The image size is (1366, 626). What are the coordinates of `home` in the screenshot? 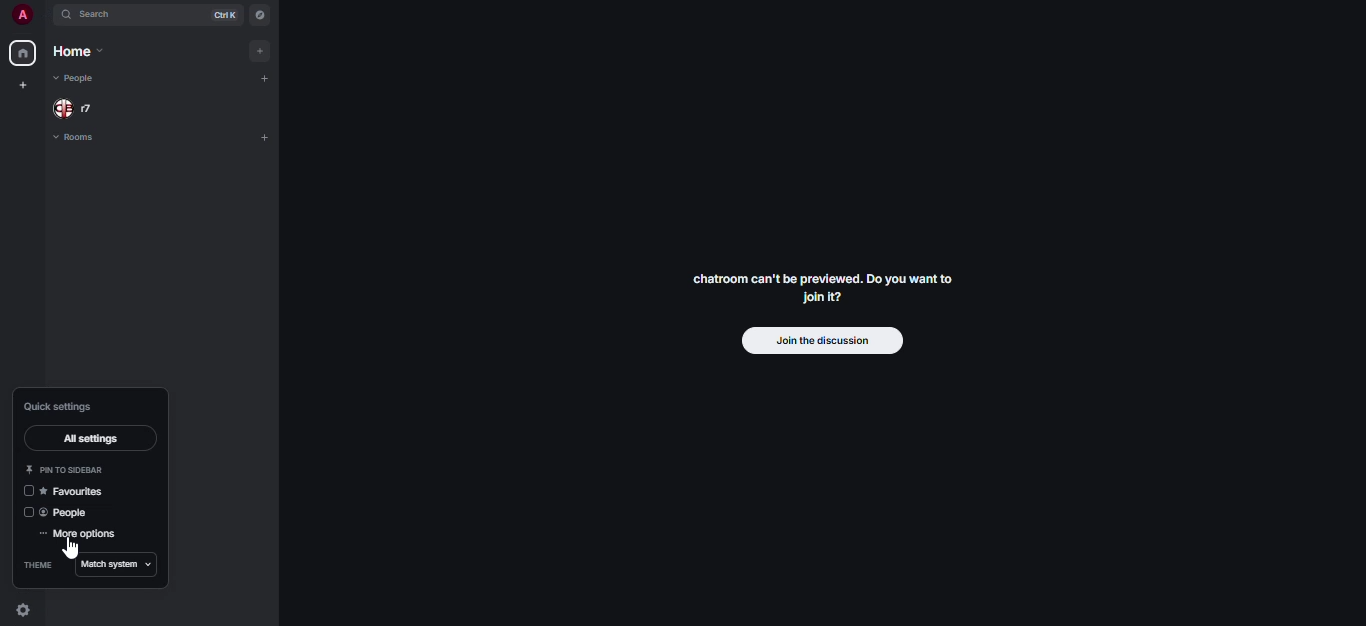 It's located at (84, 51).